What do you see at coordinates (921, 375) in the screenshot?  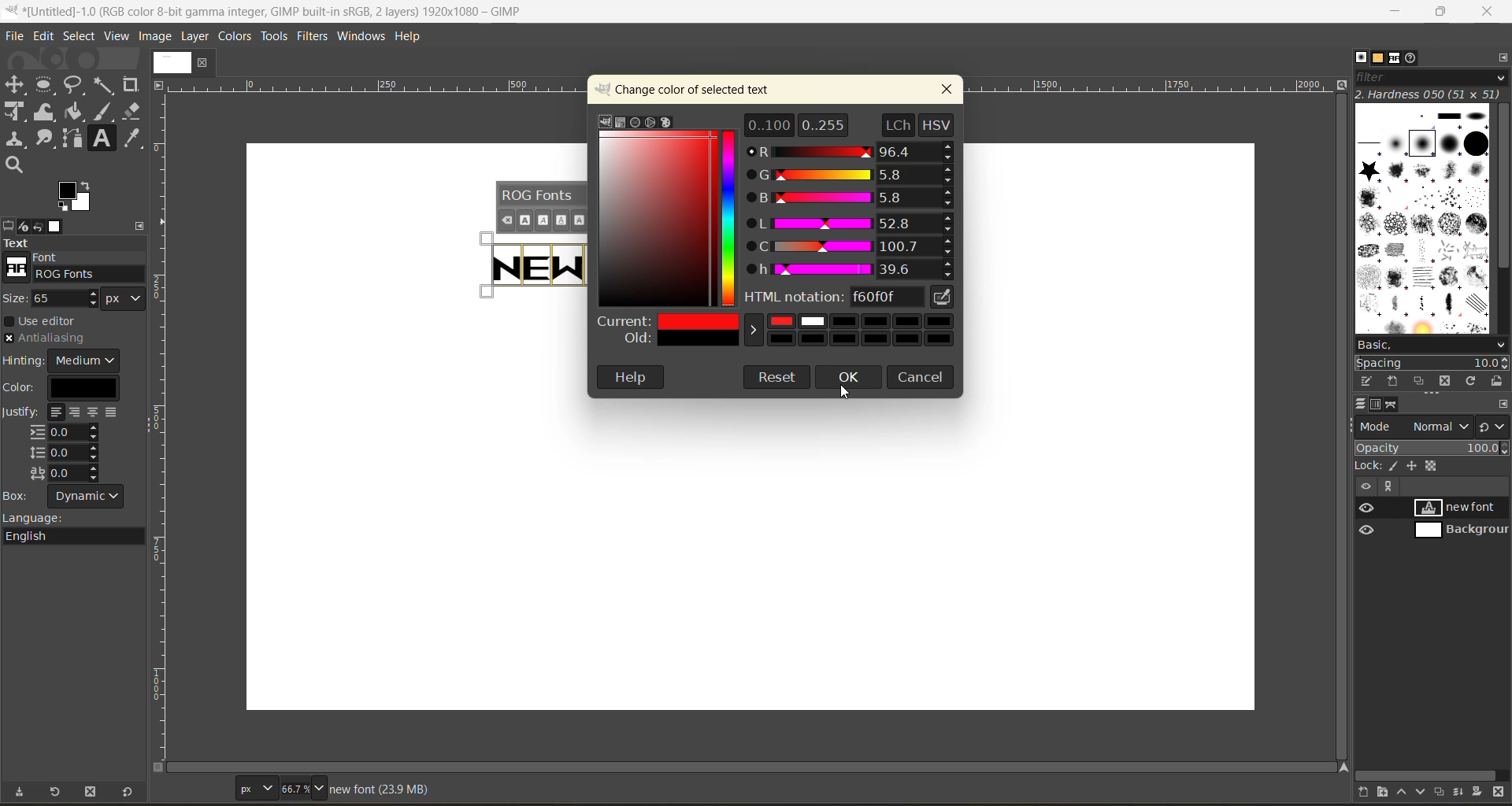 I see `cancel` at bounding box center [921, 375].